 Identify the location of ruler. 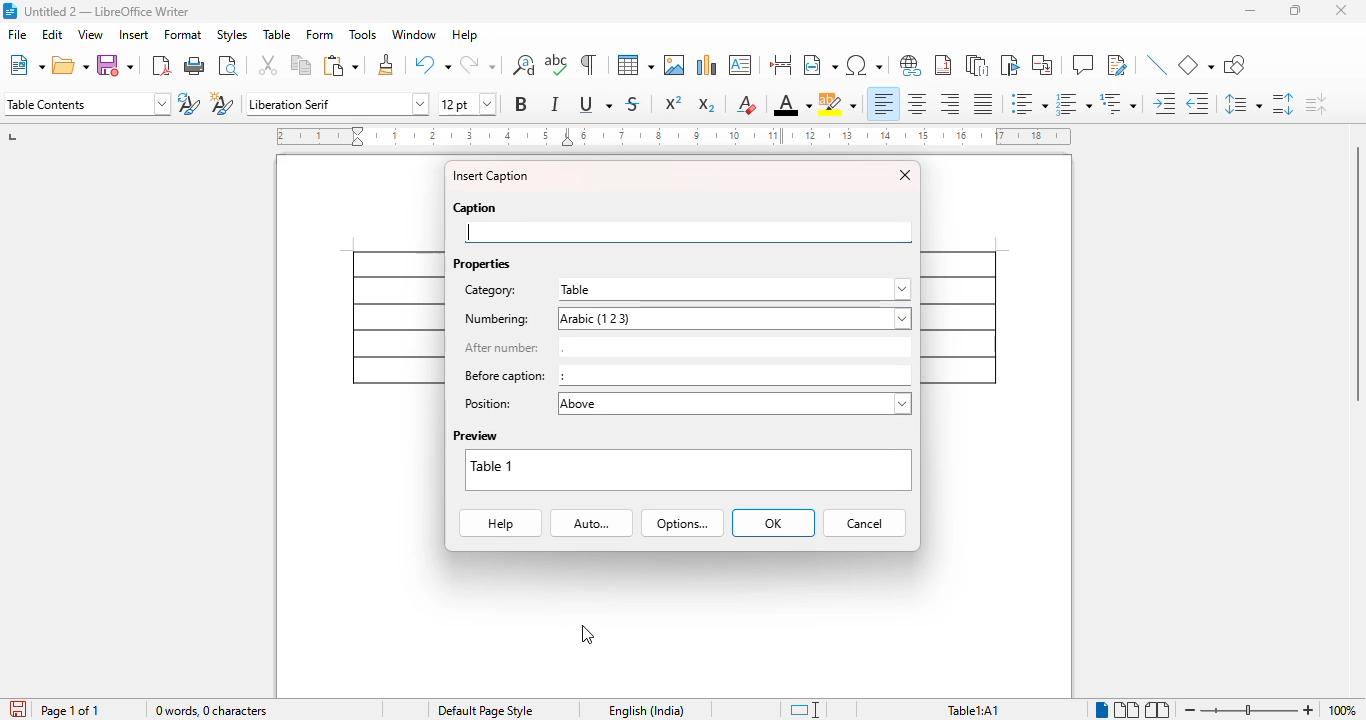
(673, 136).